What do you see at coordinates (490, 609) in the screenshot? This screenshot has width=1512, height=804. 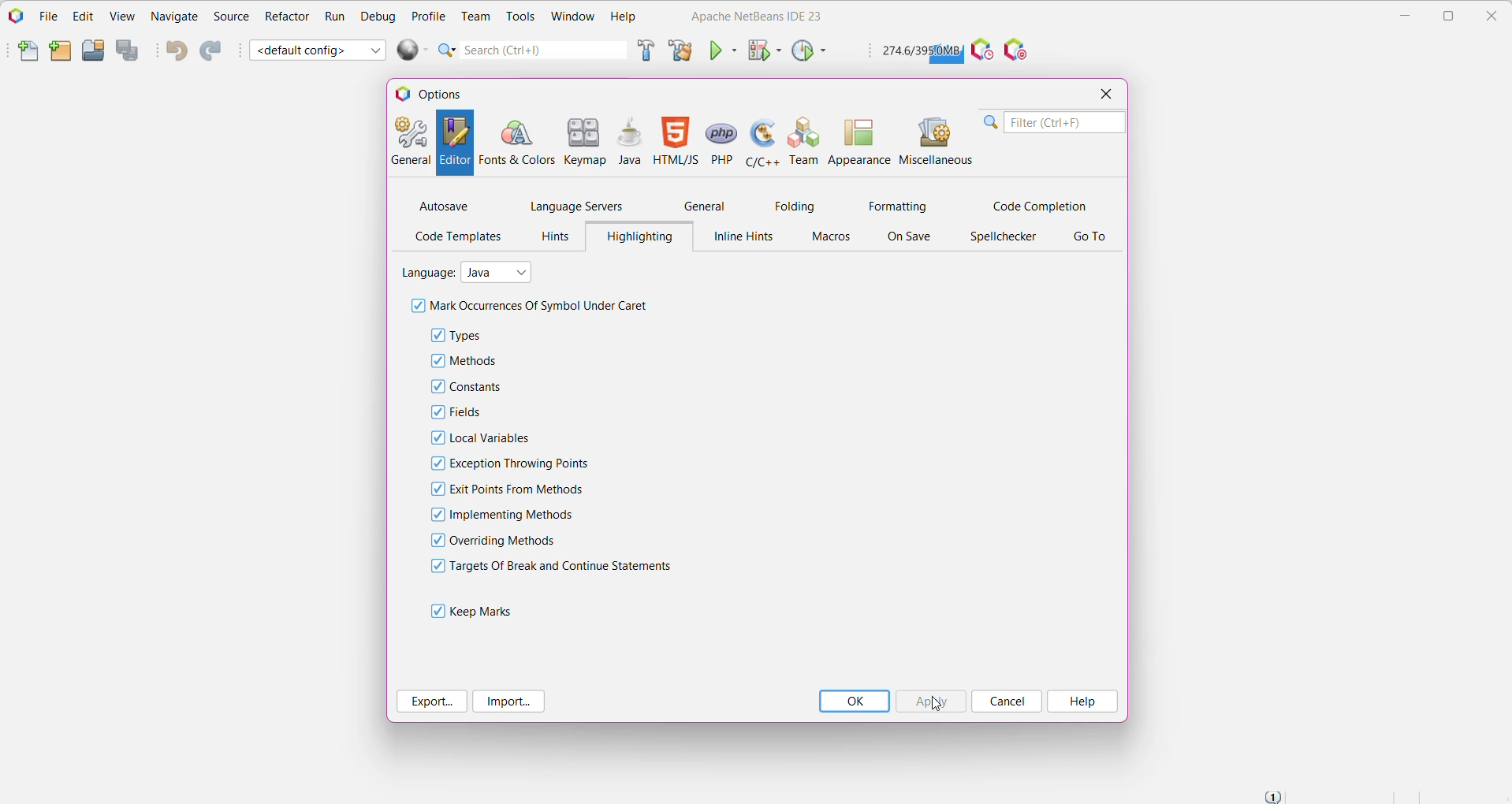 I see `Keep Marks - click to enable` at bounding box center [490, 609].